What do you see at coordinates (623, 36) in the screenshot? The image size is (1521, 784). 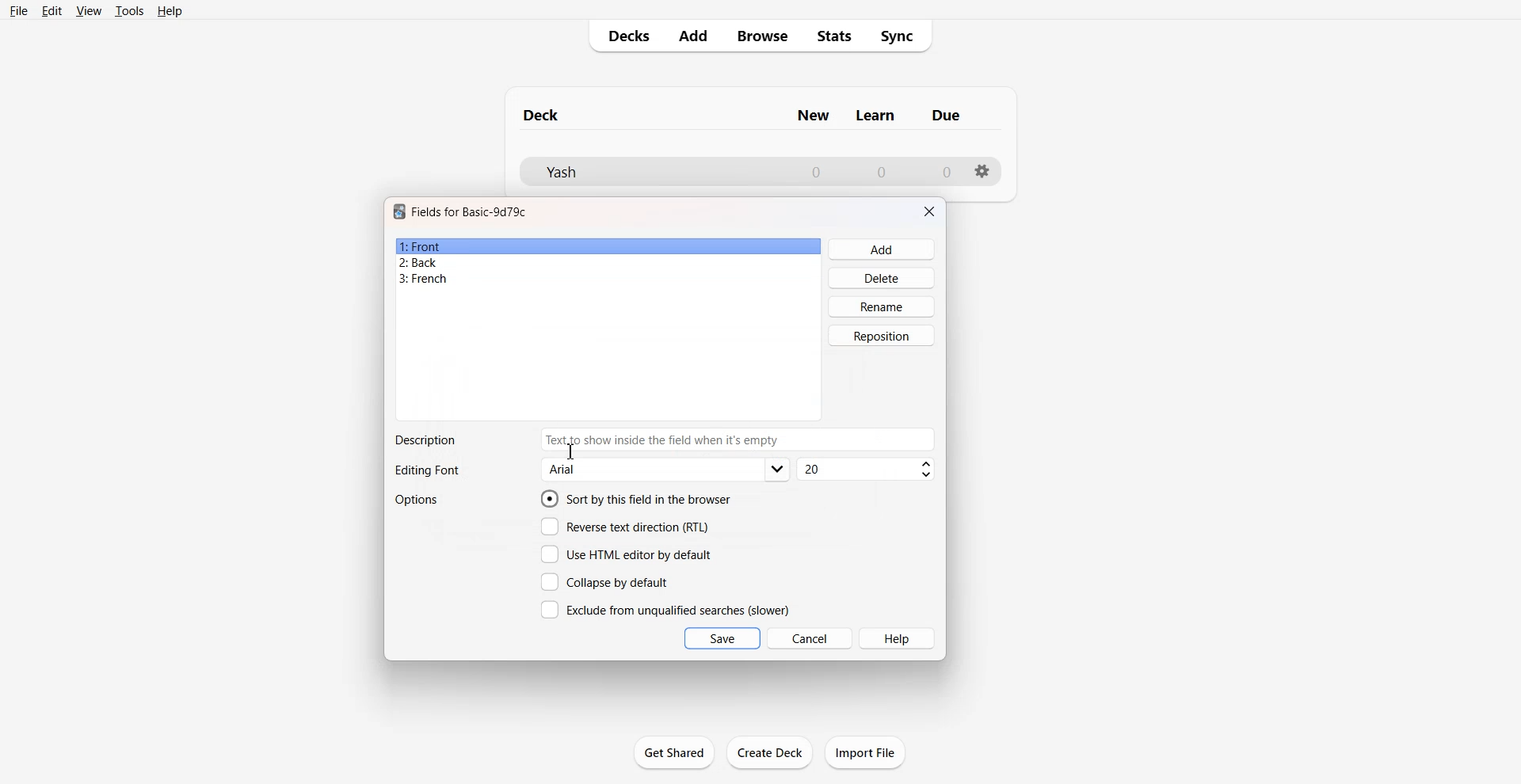 I see `Decks` at bounding box center [623, 36].